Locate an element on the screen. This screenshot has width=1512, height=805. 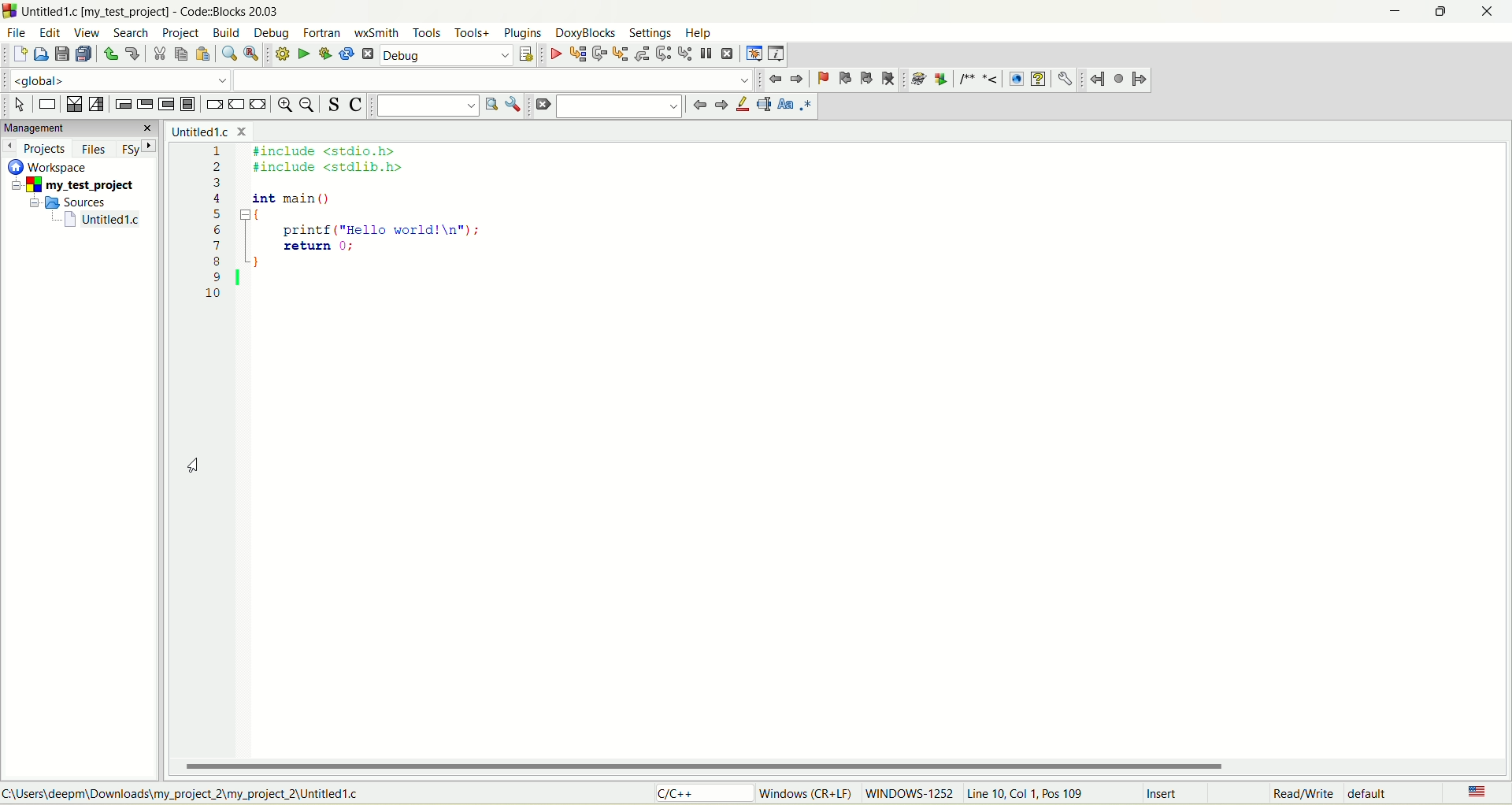
files is located at coordinates (95, 147).